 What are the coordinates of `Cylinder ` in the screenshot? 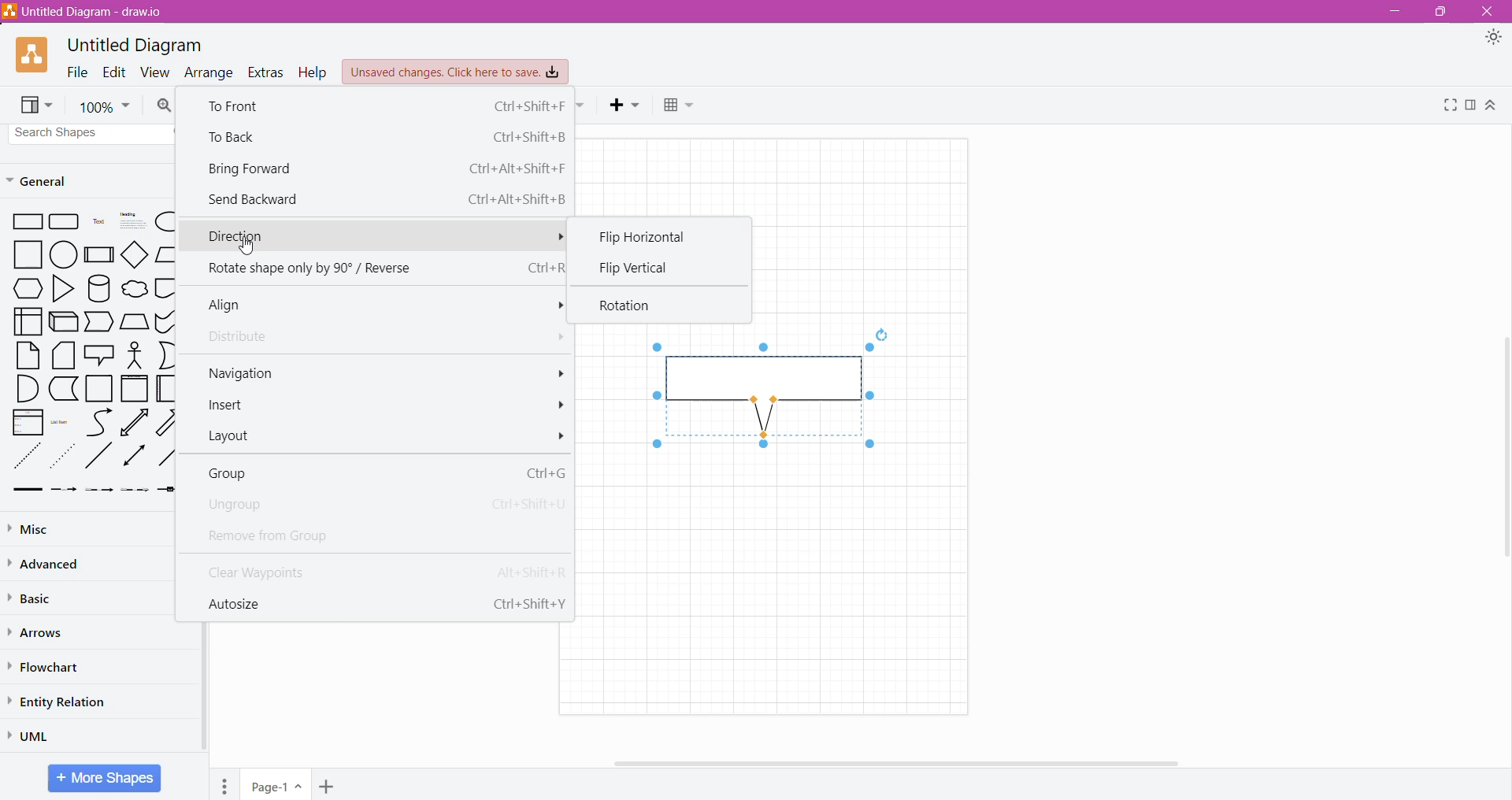 It's located at (98, 288).